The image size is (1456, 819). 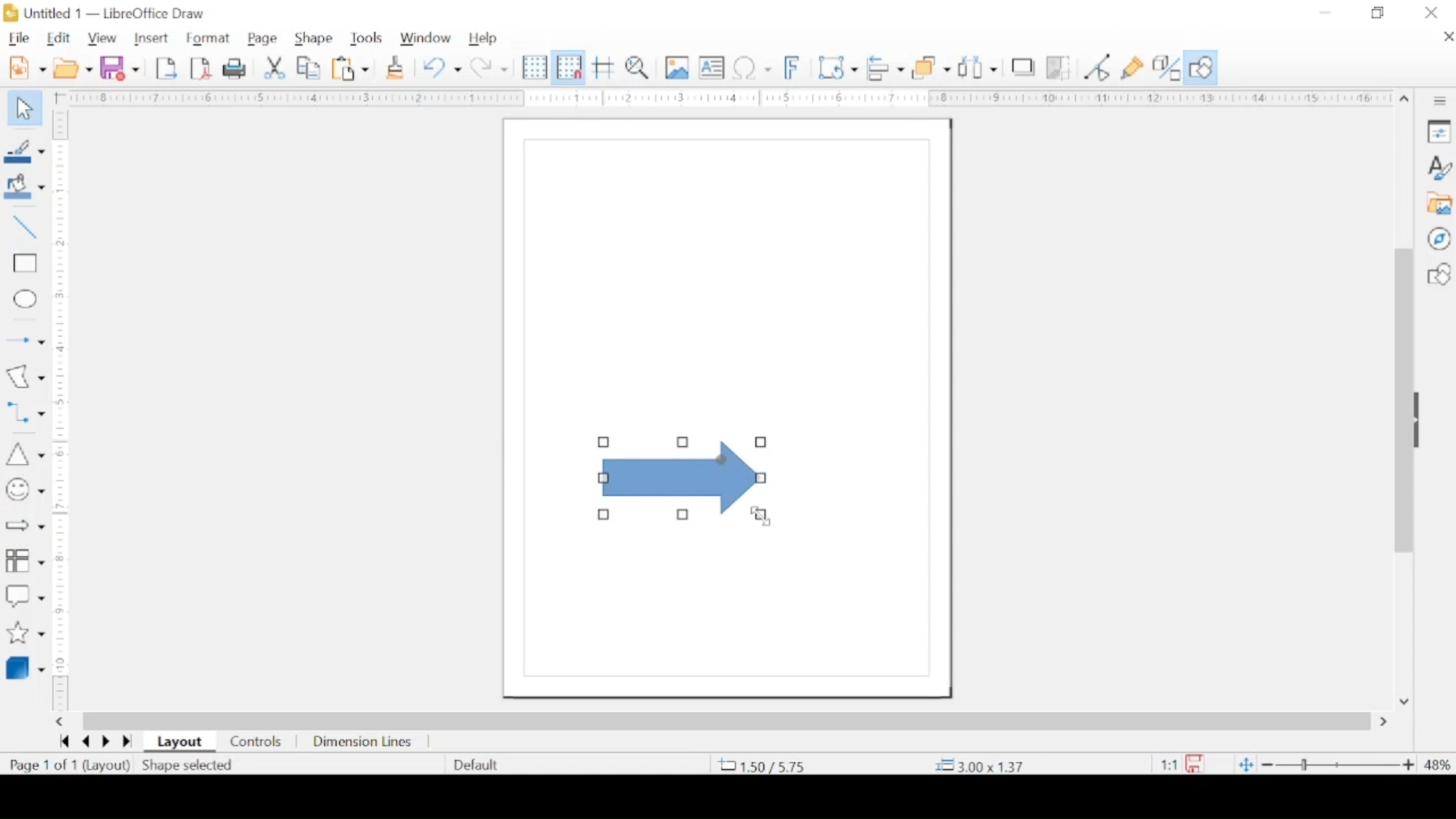 I want to click on restore down, so click(x=1379, y=13).